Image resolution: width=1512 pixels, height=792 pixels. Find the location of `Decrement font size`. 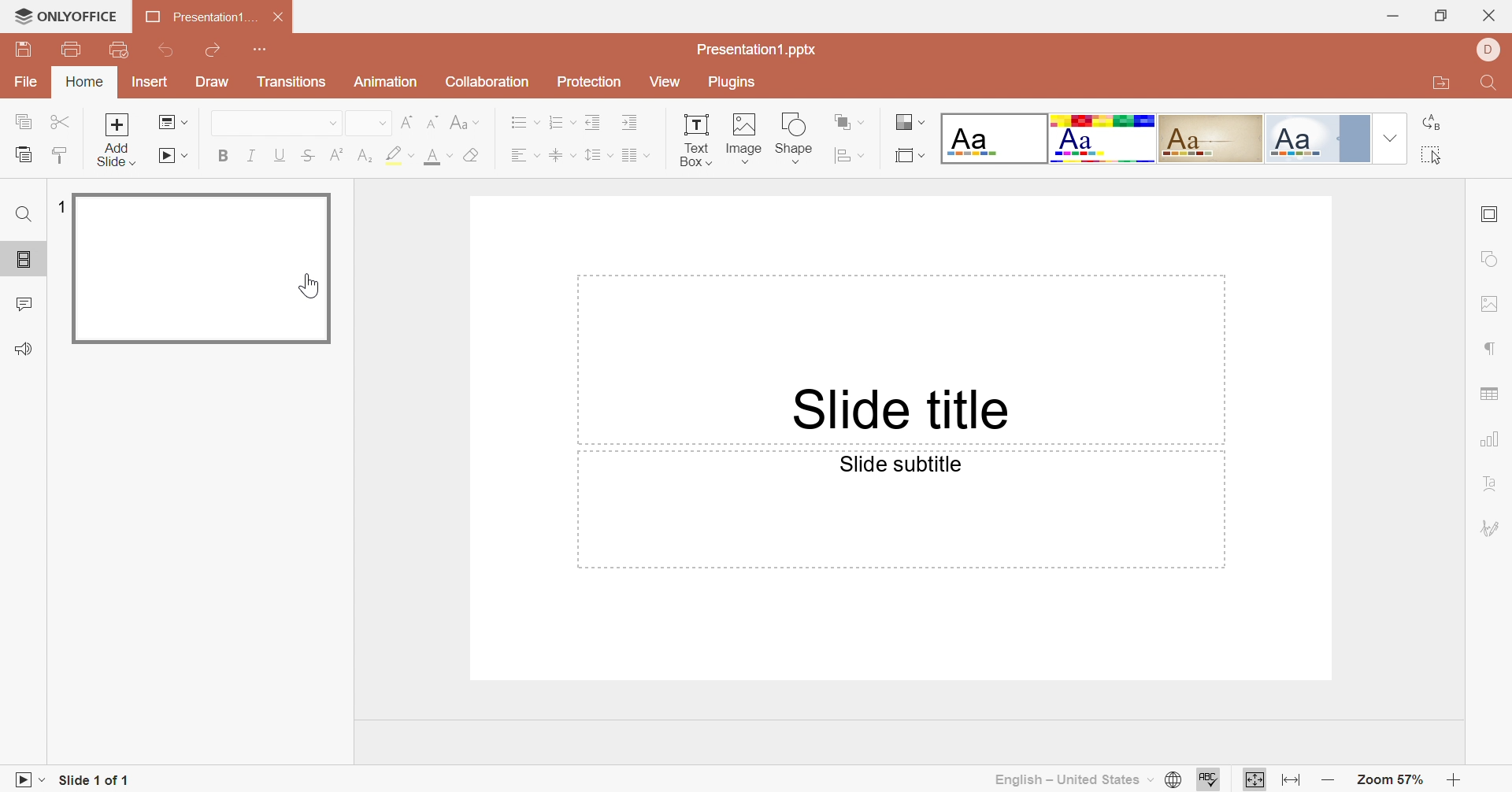

Decrement font size is located at coordinates (432, 120).